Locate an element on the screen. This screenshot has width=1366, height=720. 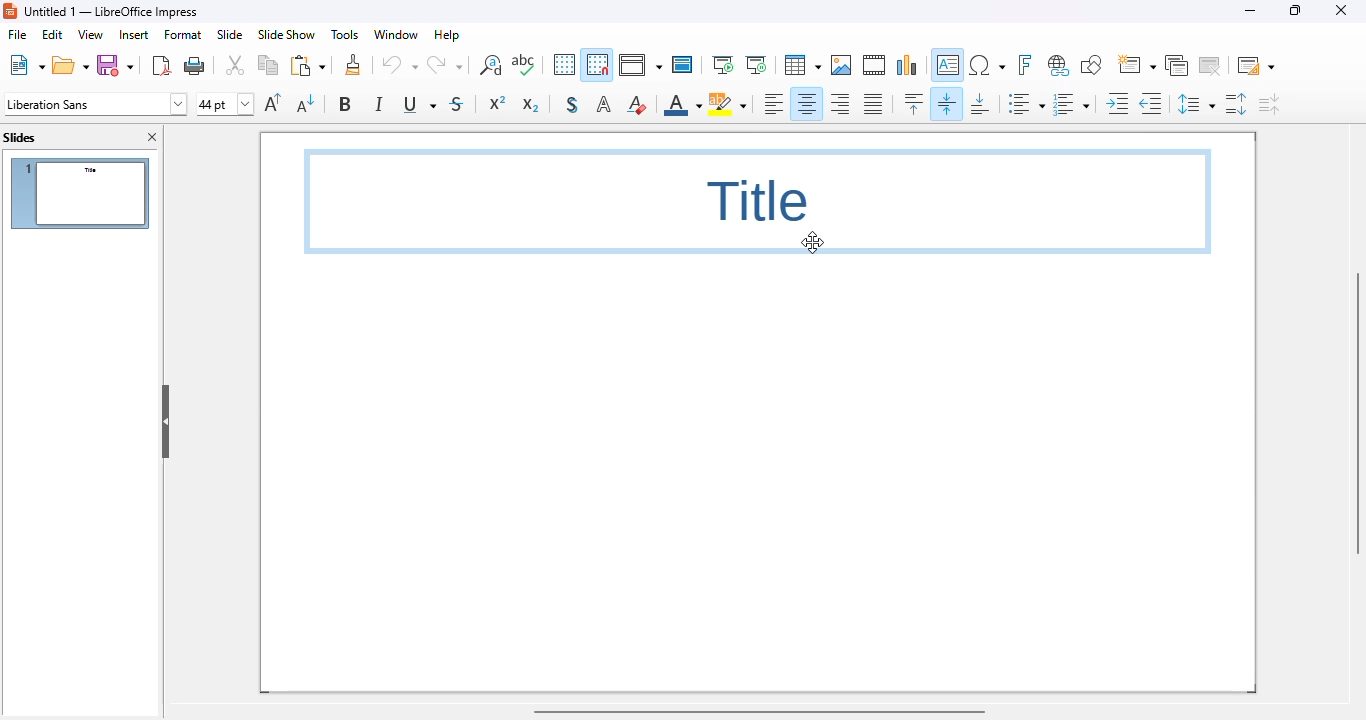
strikethrough is located at coordinates (458, 103).